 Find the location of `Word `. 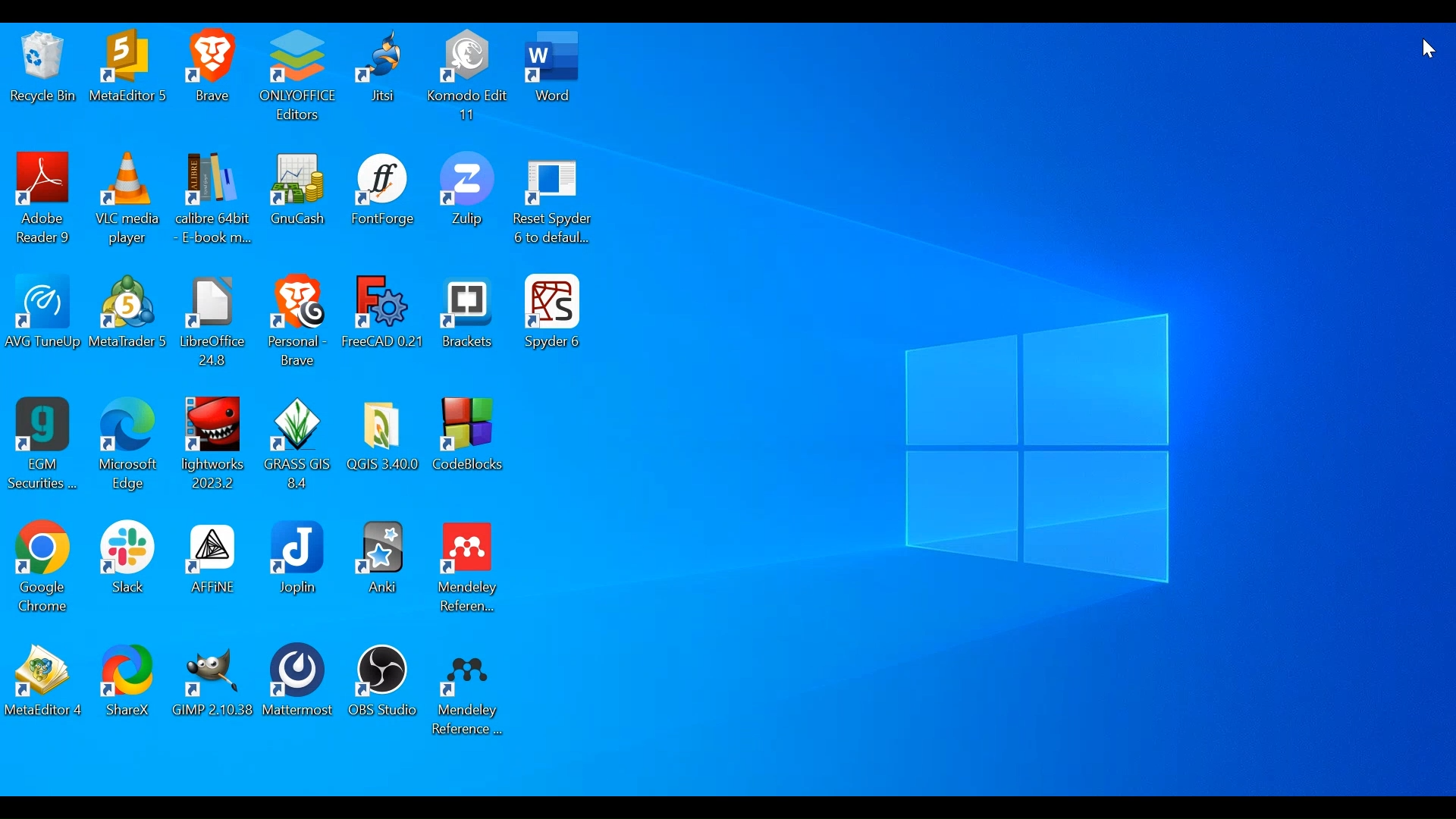

Word  is located at coordinates (556, 76).